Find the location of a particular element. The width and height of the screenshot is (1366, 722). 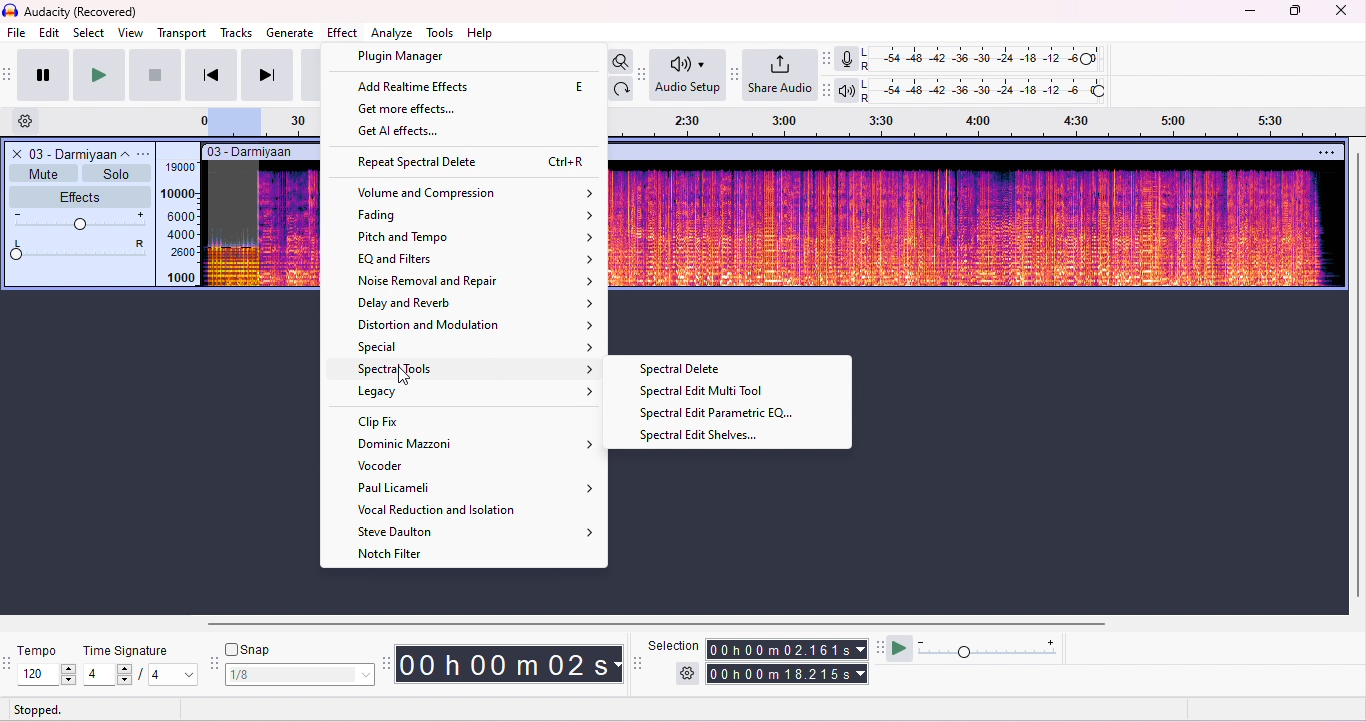

stopped is located at coordinates (38, 709).